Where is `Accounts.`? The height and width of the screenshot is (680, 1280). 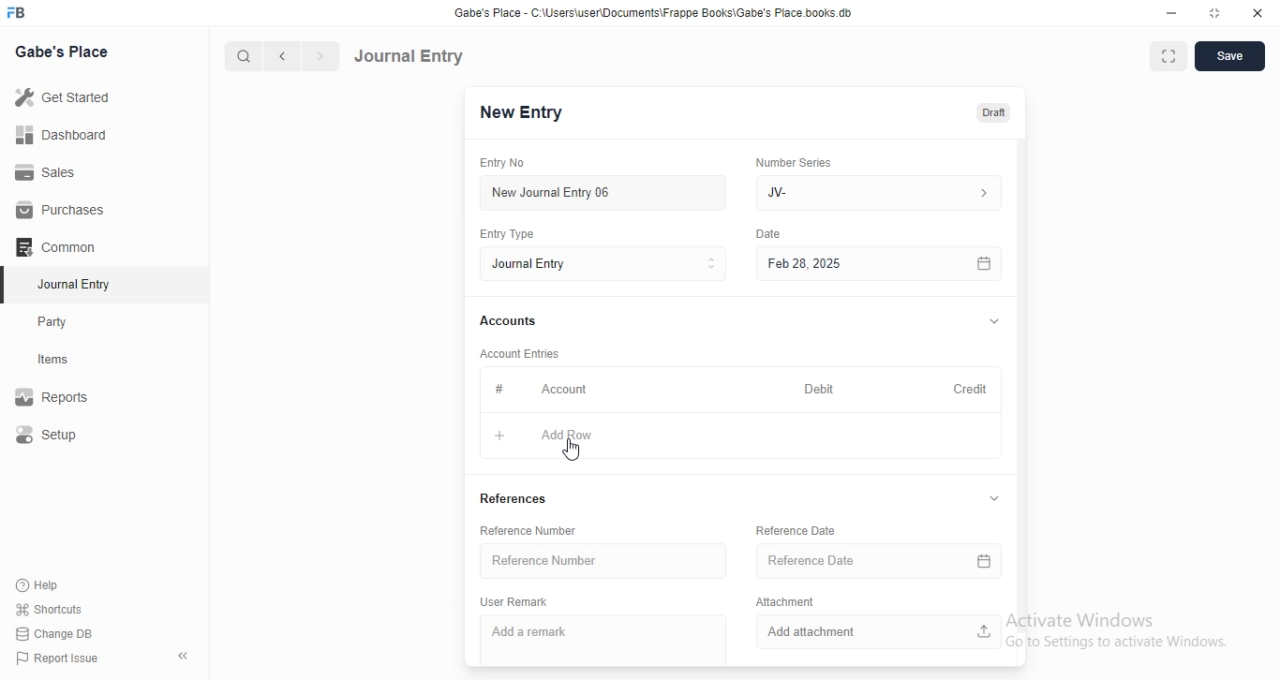
Accounts. is located at coordinates (518, 322).